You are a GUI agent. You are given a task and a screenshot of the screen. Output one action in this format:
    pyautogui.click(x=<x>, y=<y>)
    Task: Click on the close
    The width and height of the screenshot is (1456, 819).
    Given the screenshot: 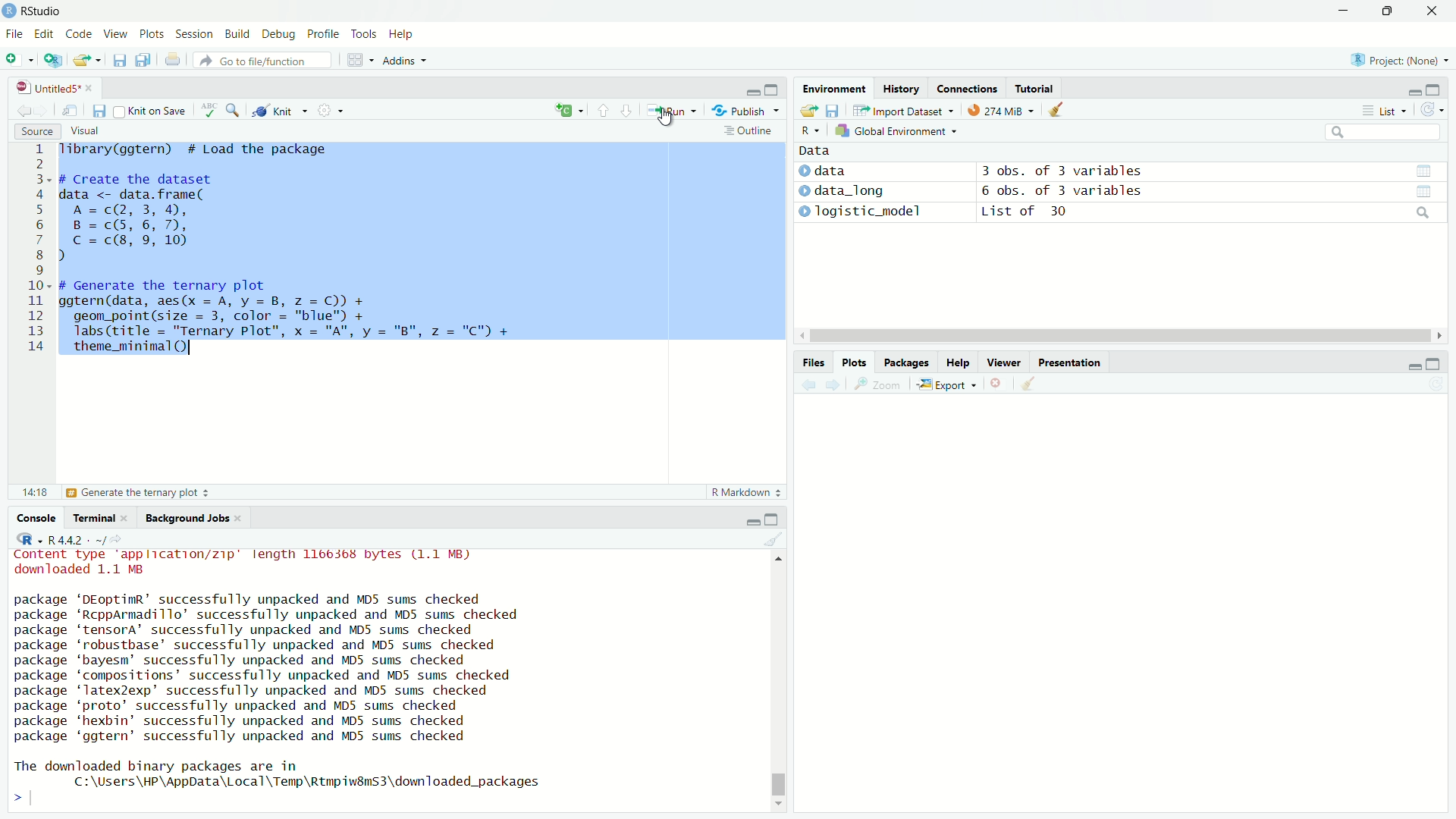 What is the action you would take?
    pyautogui.click(x=1432, y=13)
    